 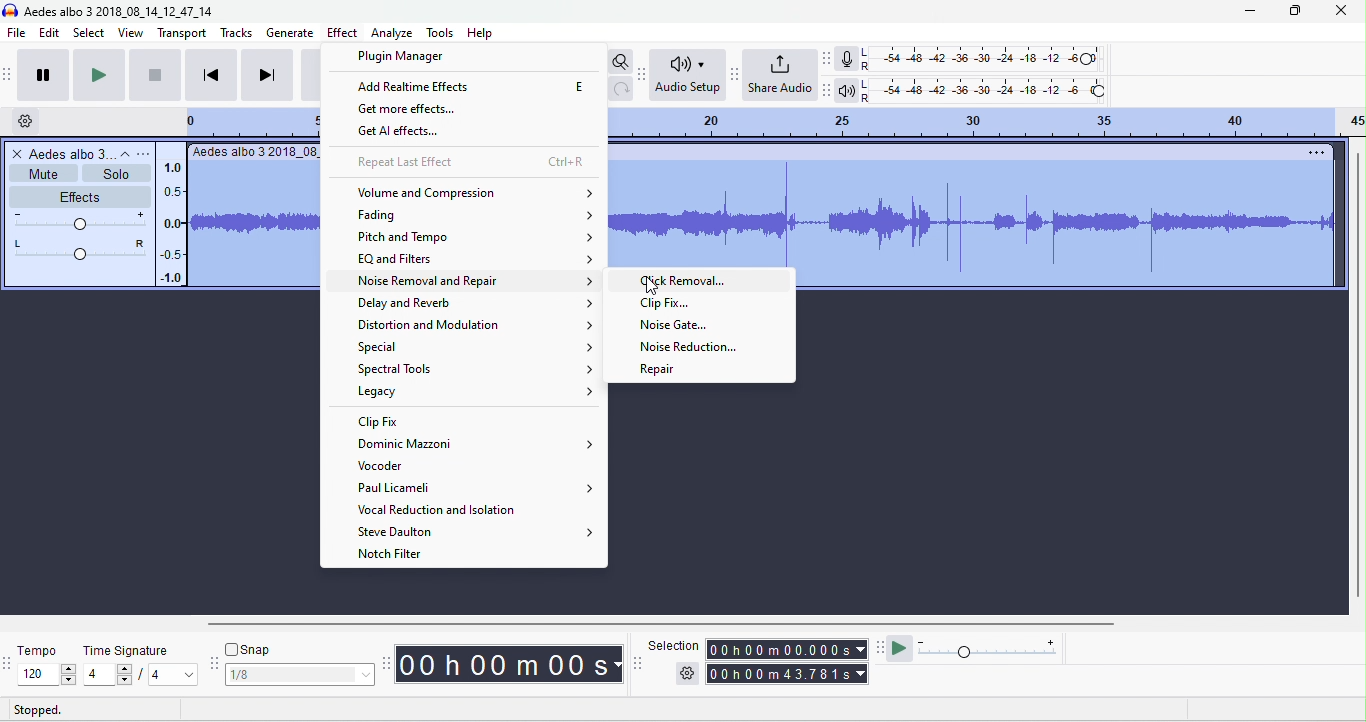 What do you see at coordinates (476, 193) in the screenshot?
I see `volume and compensation` at bounding box center [476, 193].